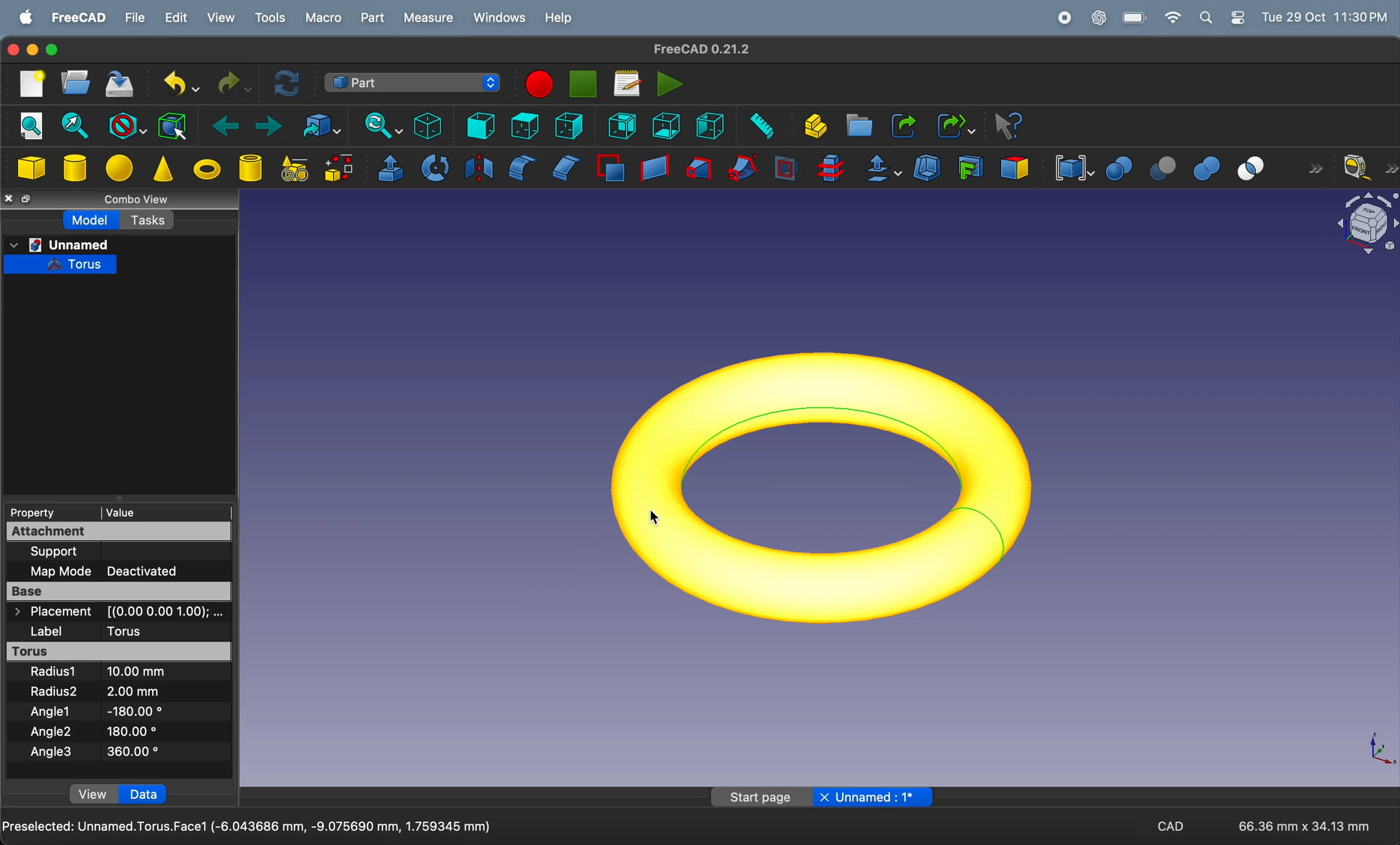  Describe the element at coordinates (124, 123) in the screenshot. I see `block` at that location.